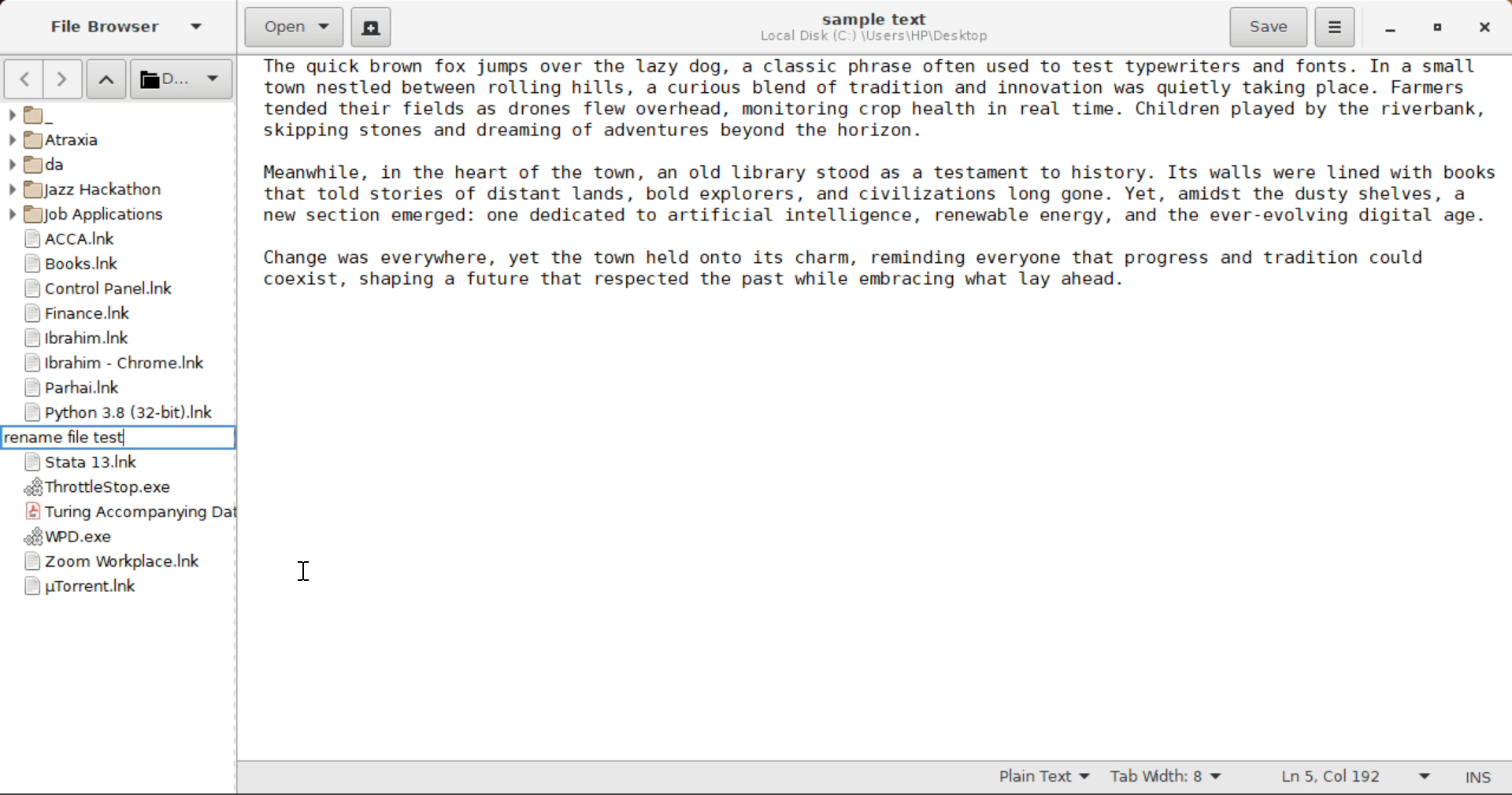 This screenshot has width=1512, height=795. Describe the element at coordinates (113, 562) in the screenshot. I see `Zoom Application ` at that location.